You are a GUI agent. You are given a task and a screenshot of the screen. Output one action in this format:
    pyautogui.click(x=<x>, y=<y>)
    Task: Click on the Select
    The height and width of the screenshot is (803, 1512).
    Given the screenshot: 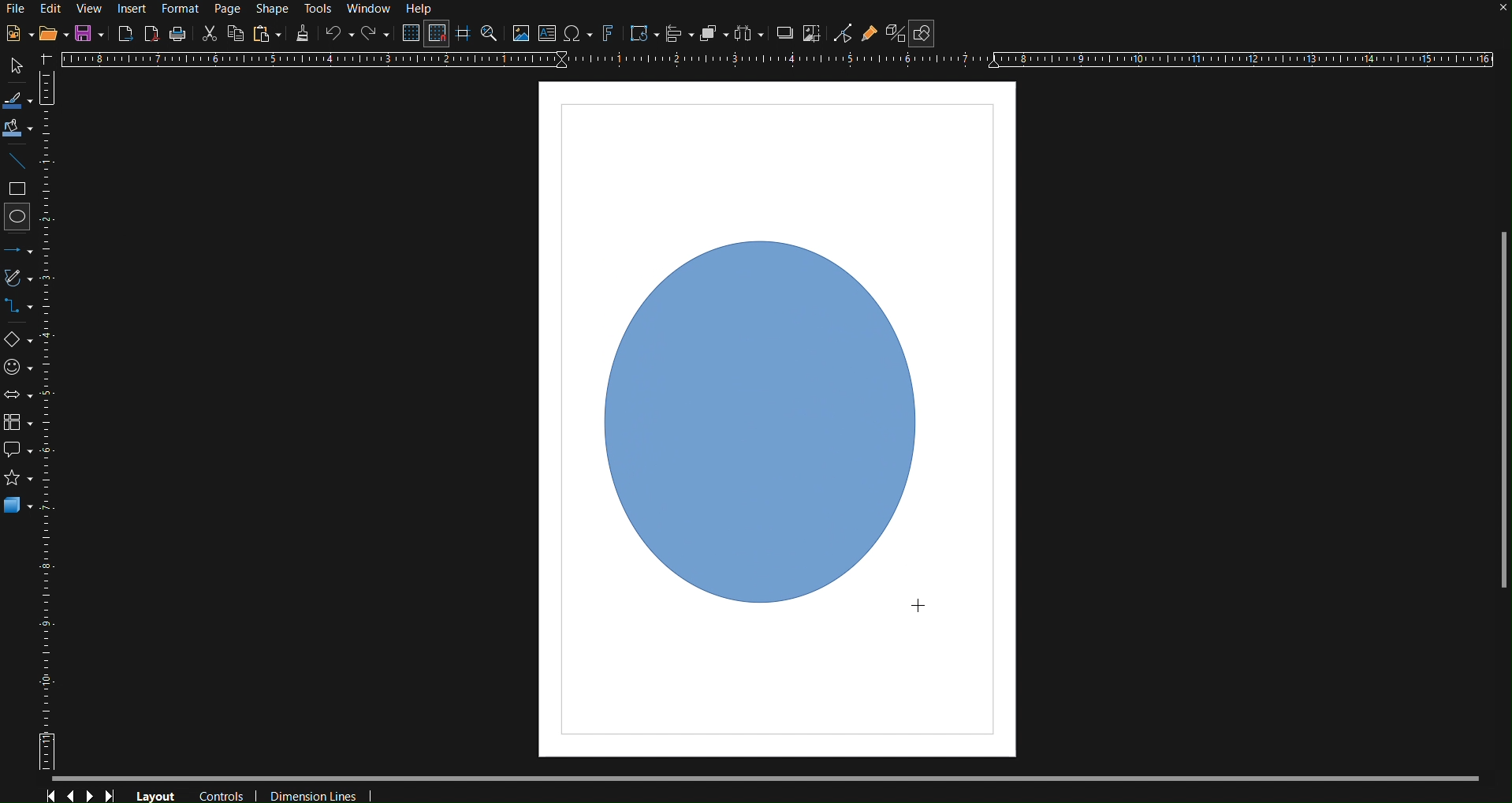 What is the action you would take?
    pyautogui.click(x=13, y=66)
    